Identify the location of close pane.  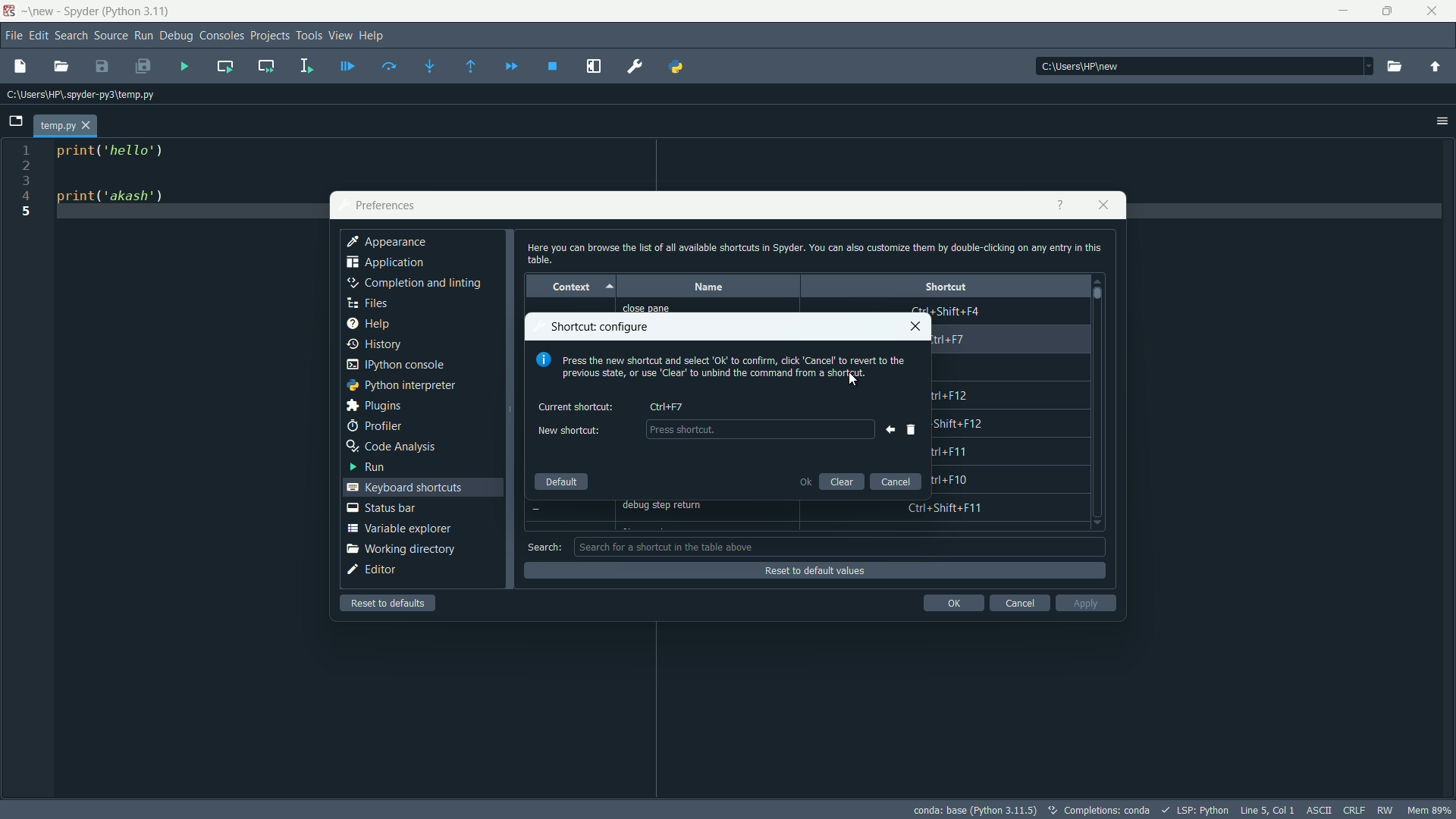
(655, 308).